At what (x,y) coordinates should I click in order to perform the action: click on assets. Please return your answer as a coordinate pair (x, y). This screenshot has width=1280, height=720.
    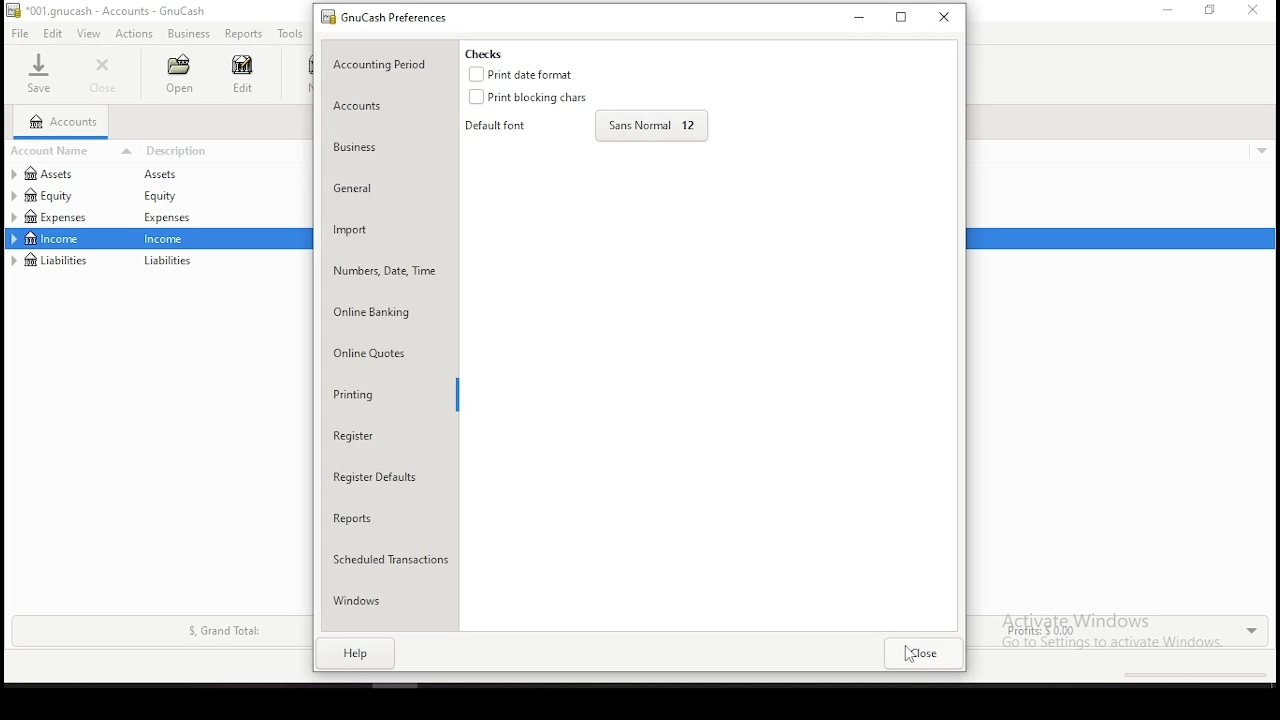
    Looking at the image, I should click on (170, 175).